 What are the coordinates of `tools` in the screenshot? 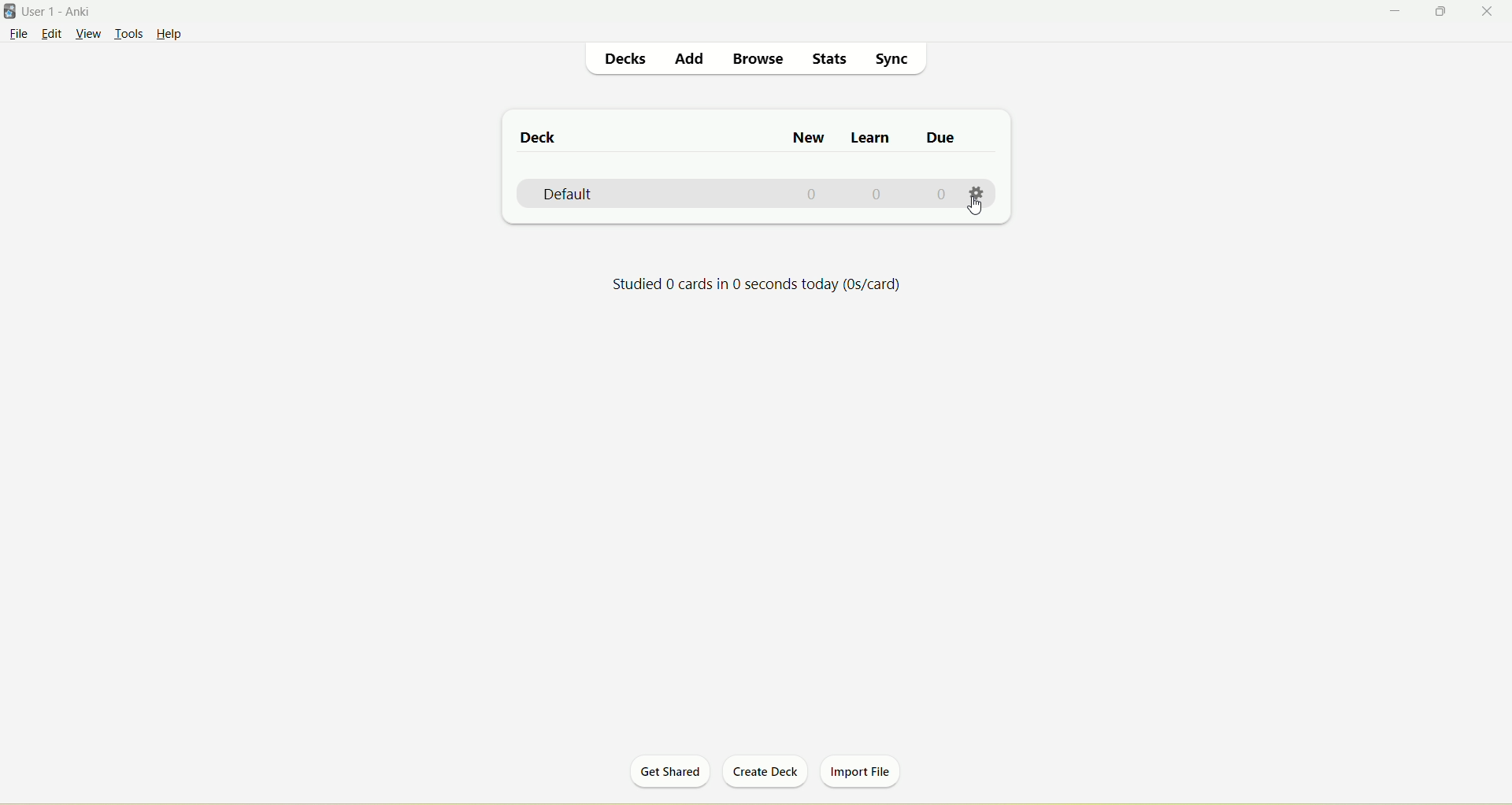 It's located at (131, 35).